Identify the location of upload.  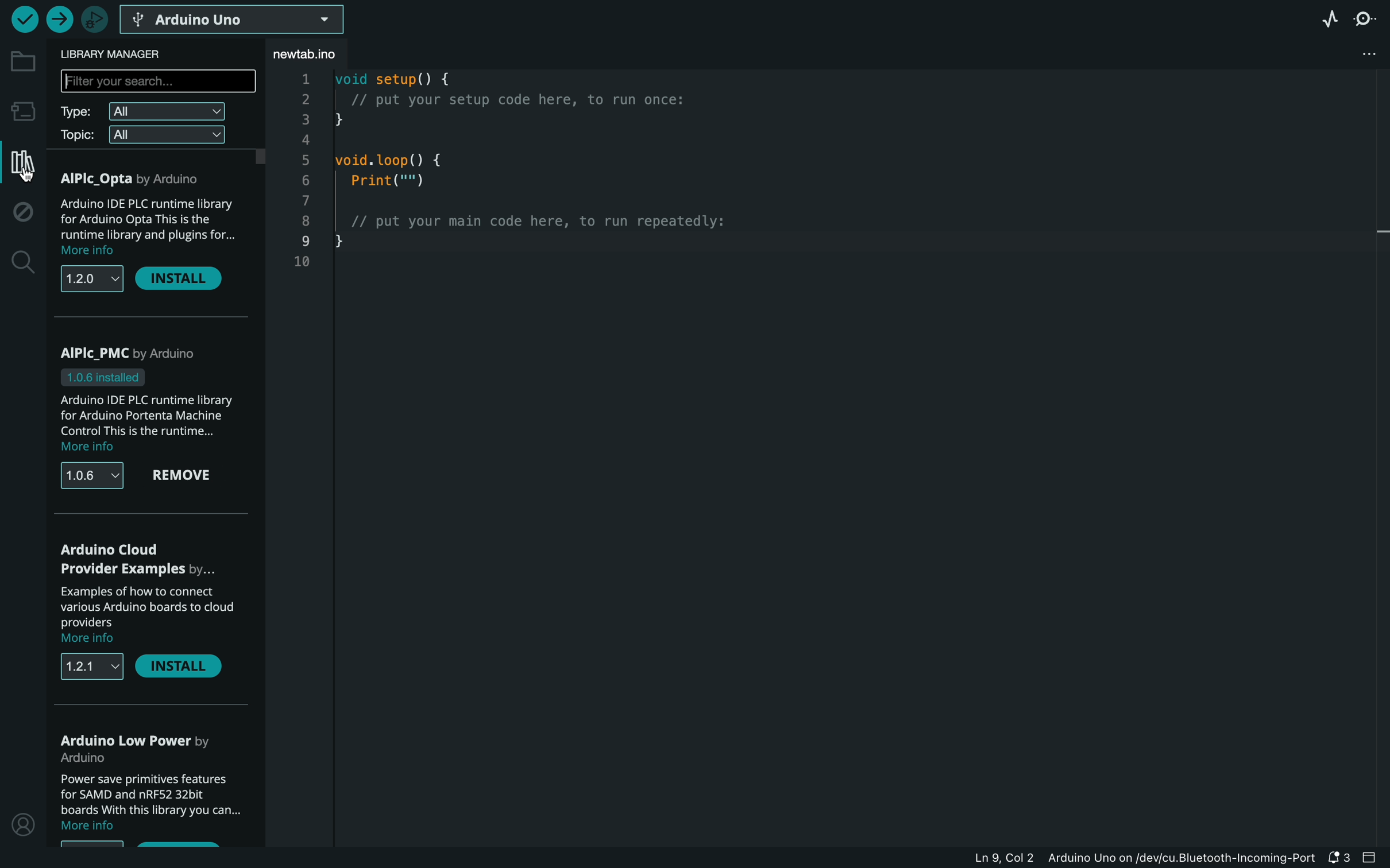
(59, 18).